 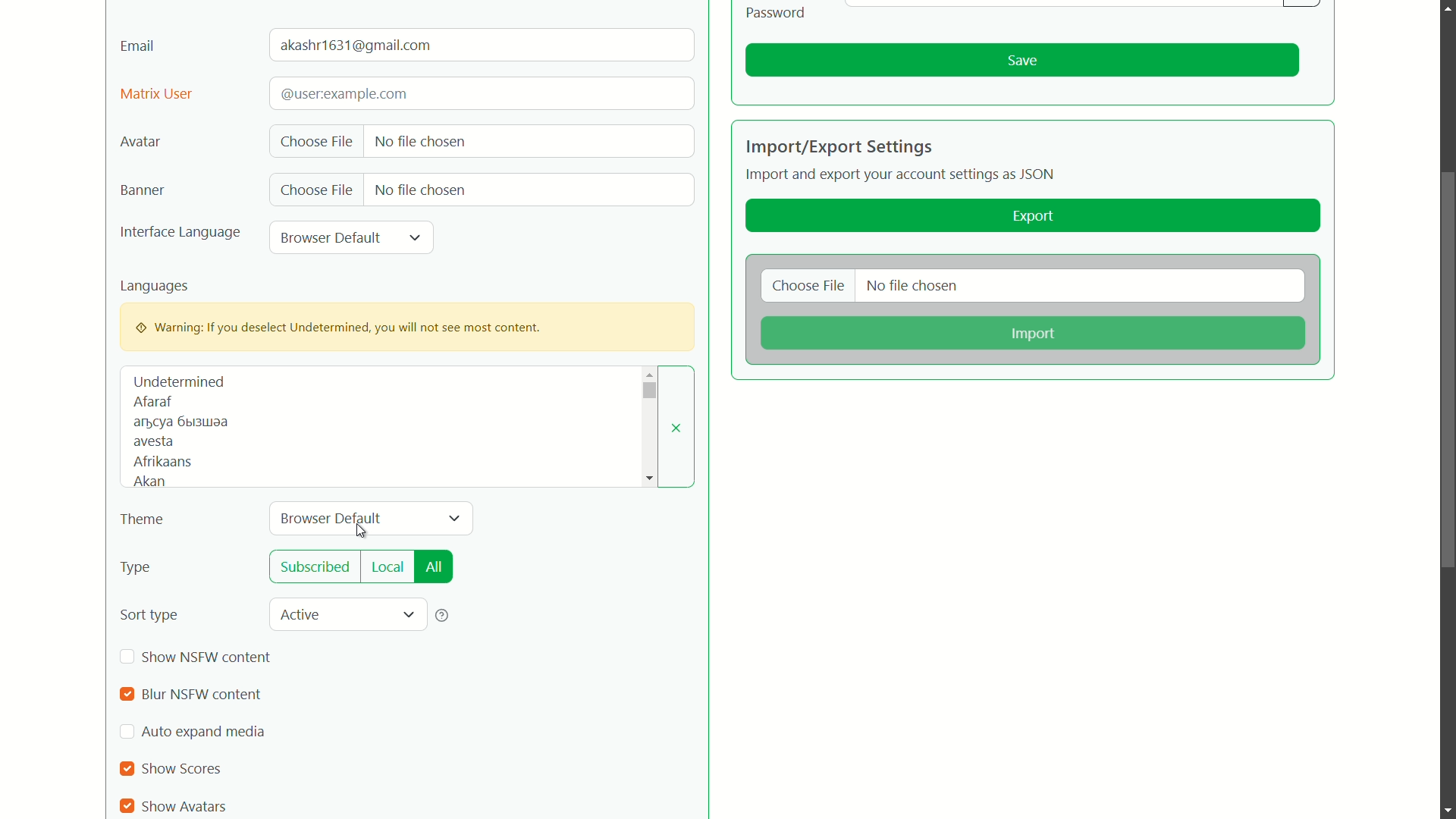 I want to click on avesta, so click(x=153, y=443).